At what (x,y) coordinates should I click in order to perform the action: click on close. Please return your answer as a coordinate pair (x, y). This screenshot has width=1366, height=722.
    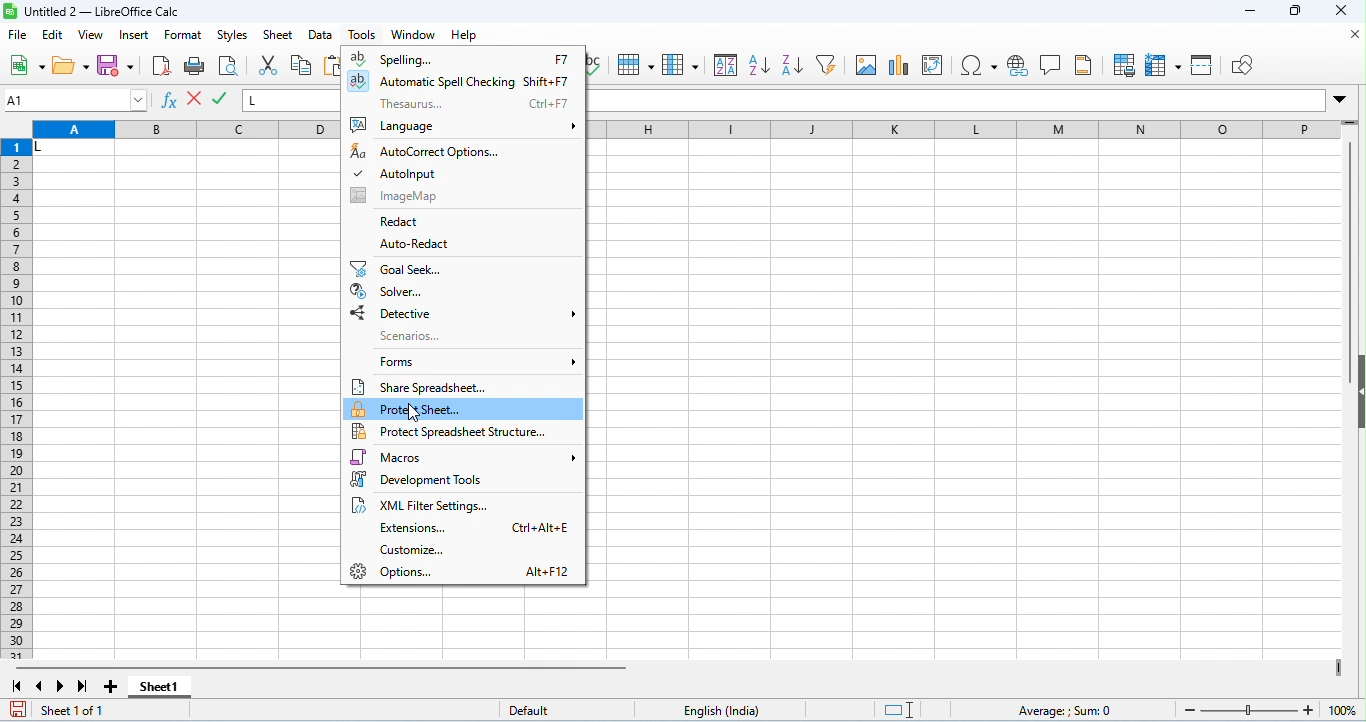
    Looking at the image, I should click on (1339, 11).